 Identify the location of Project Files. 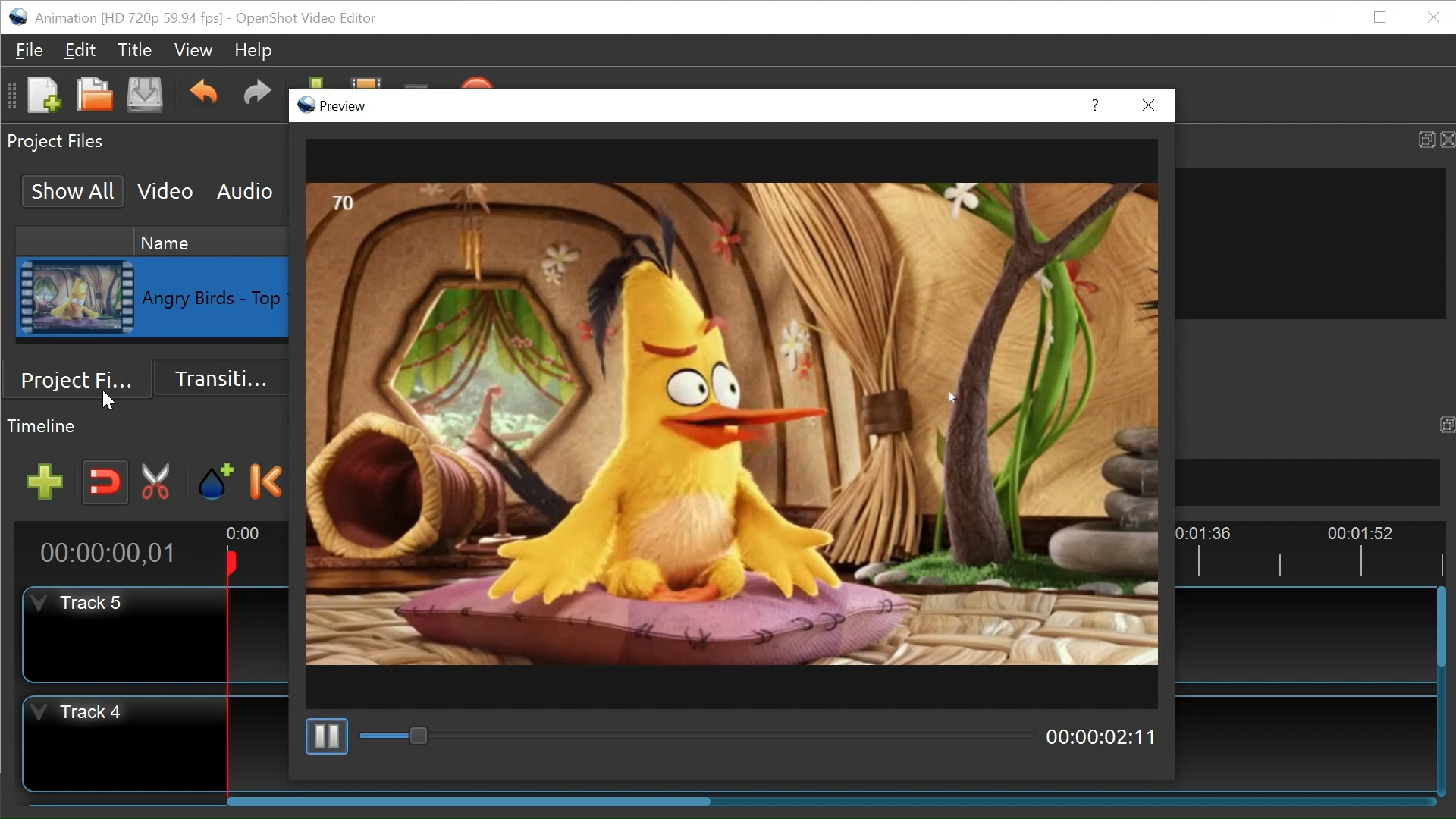
(80, 380).